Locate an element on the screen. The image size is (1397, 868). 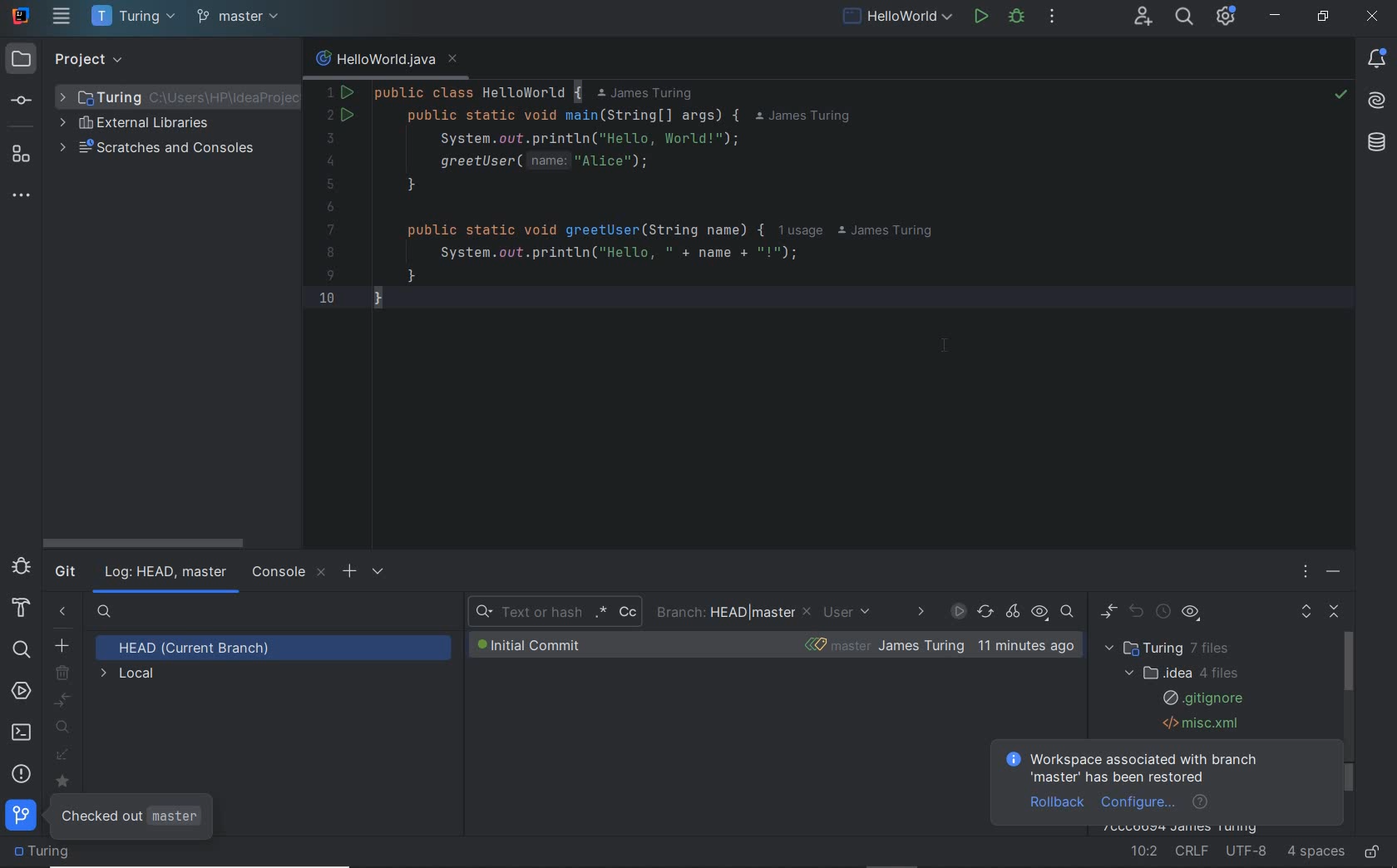
1 is located at coordinates (332, 92).